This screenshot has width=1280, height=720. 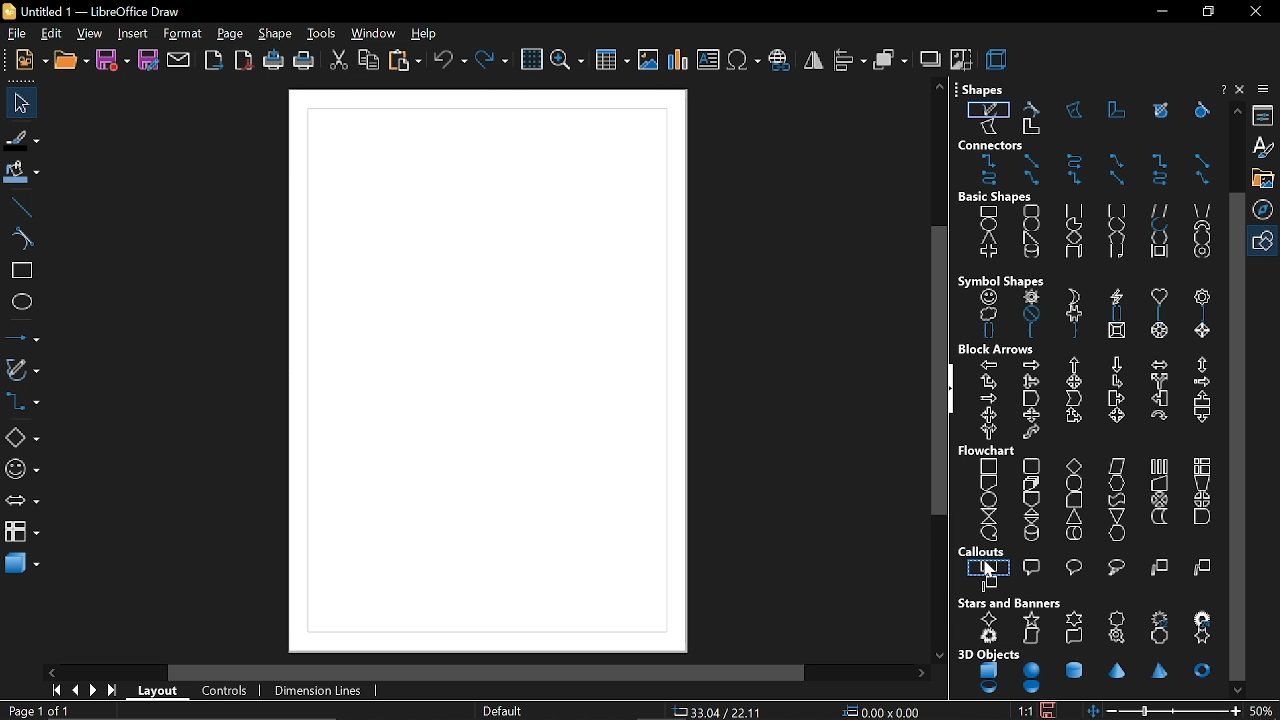 What do you see at coordinates (1073, 669) in the screenshot?
I see `cylinder` at bounding box center [1073, 669].